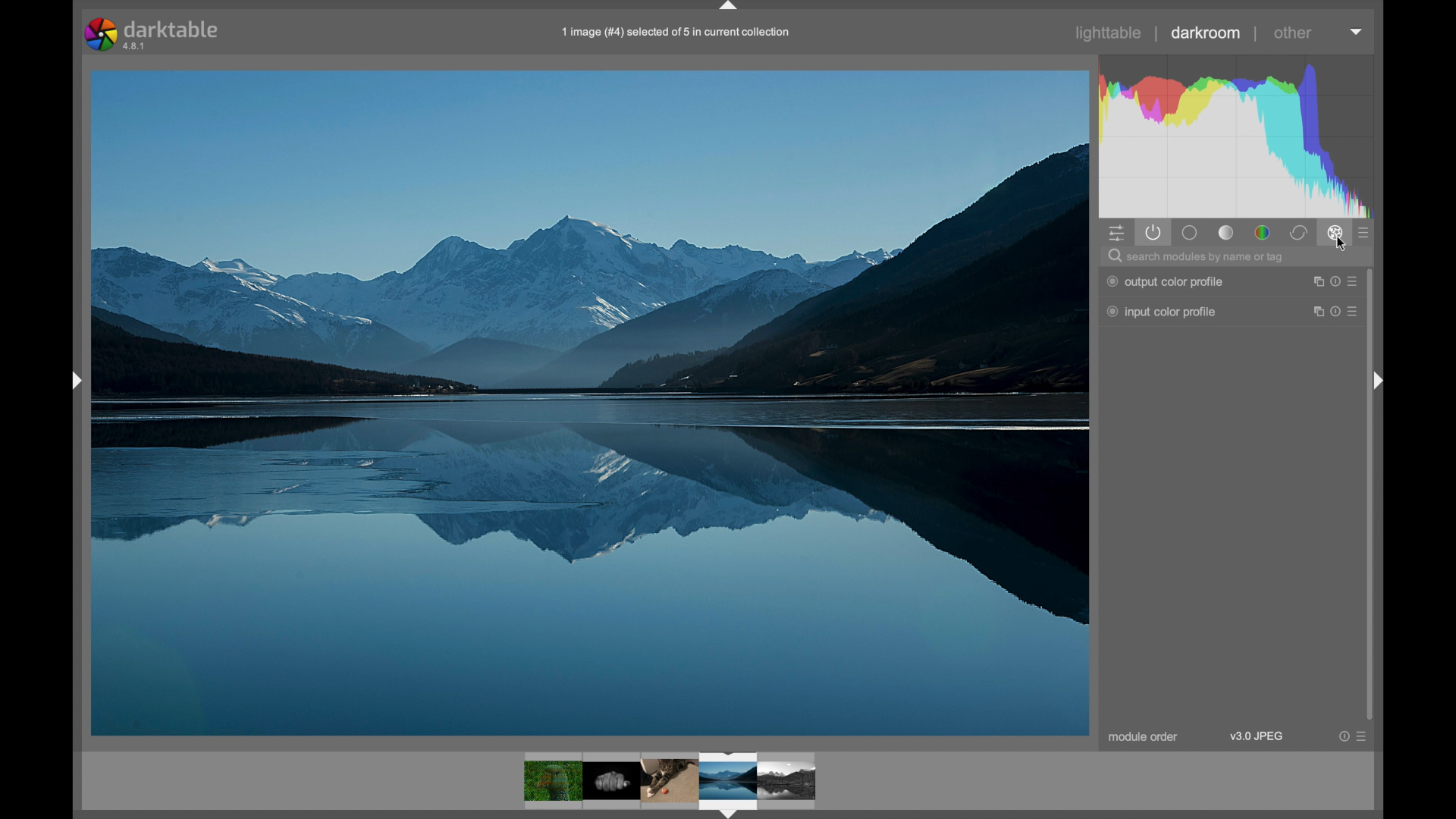  I want to click on photos, so click(670, 783).